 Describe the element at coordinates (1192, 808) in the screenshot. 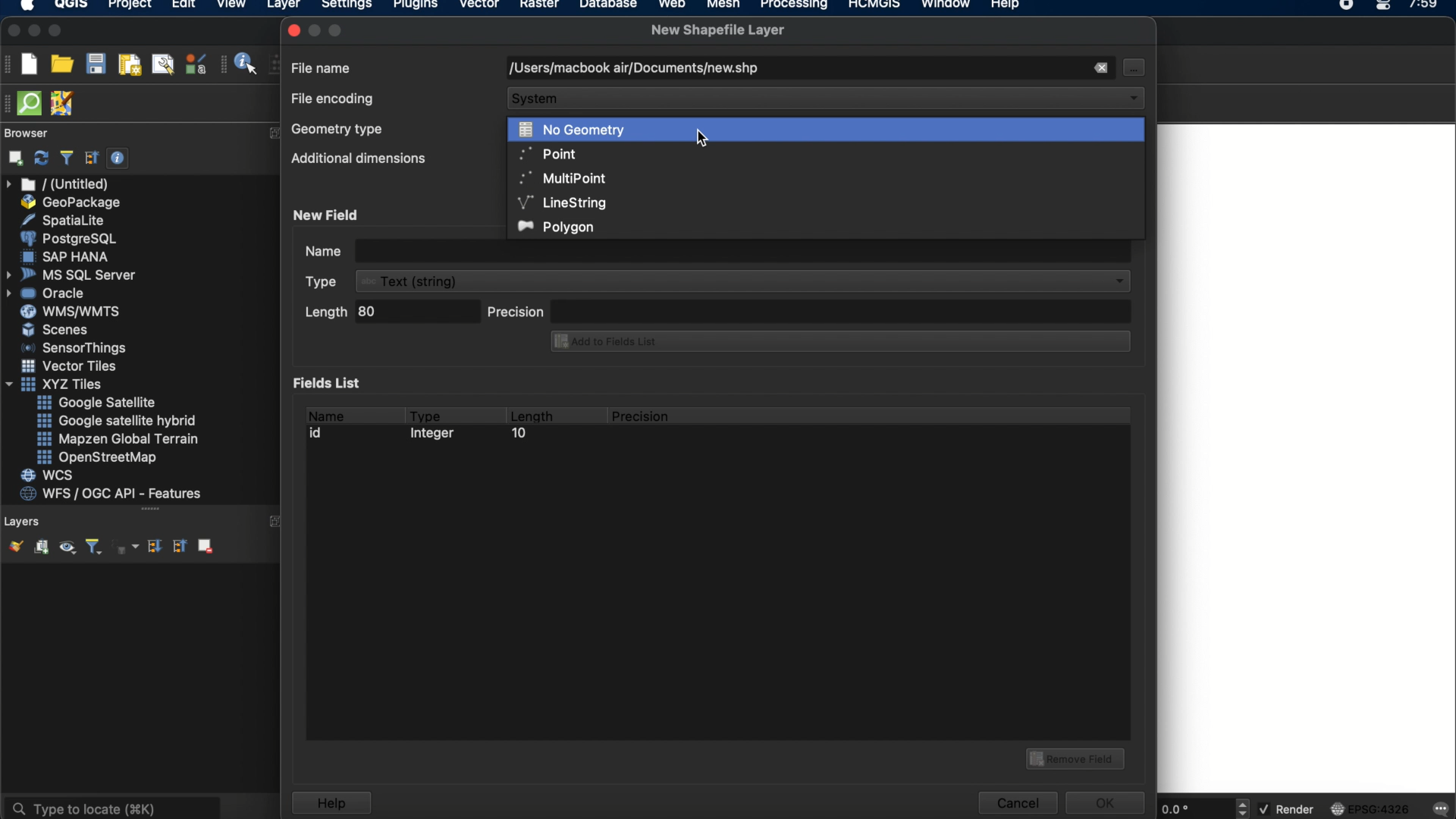

I see `degree` at that location.